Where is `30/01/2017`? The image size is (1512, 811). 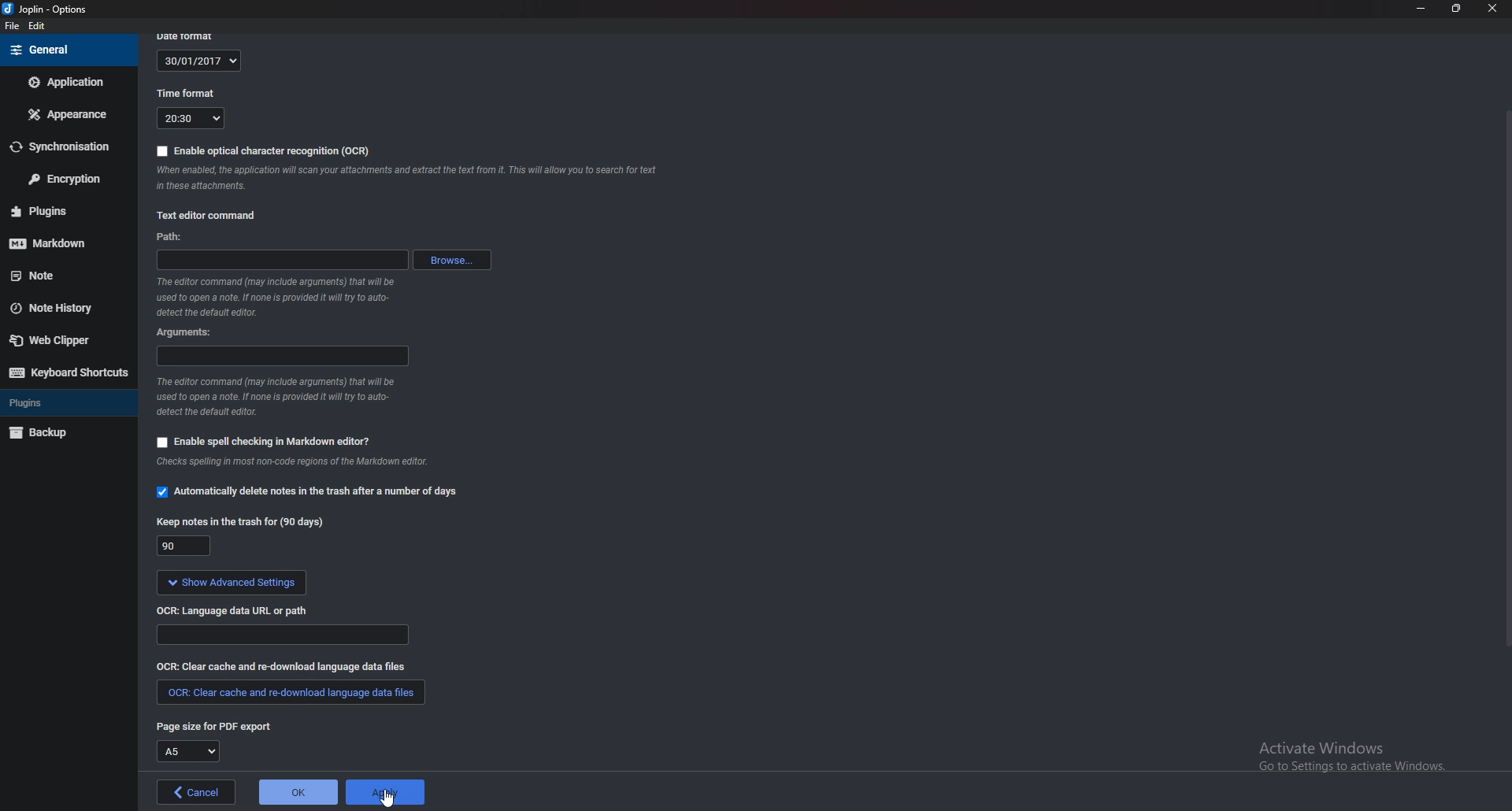
30/01/2017 is located at coordinates (198, 61).